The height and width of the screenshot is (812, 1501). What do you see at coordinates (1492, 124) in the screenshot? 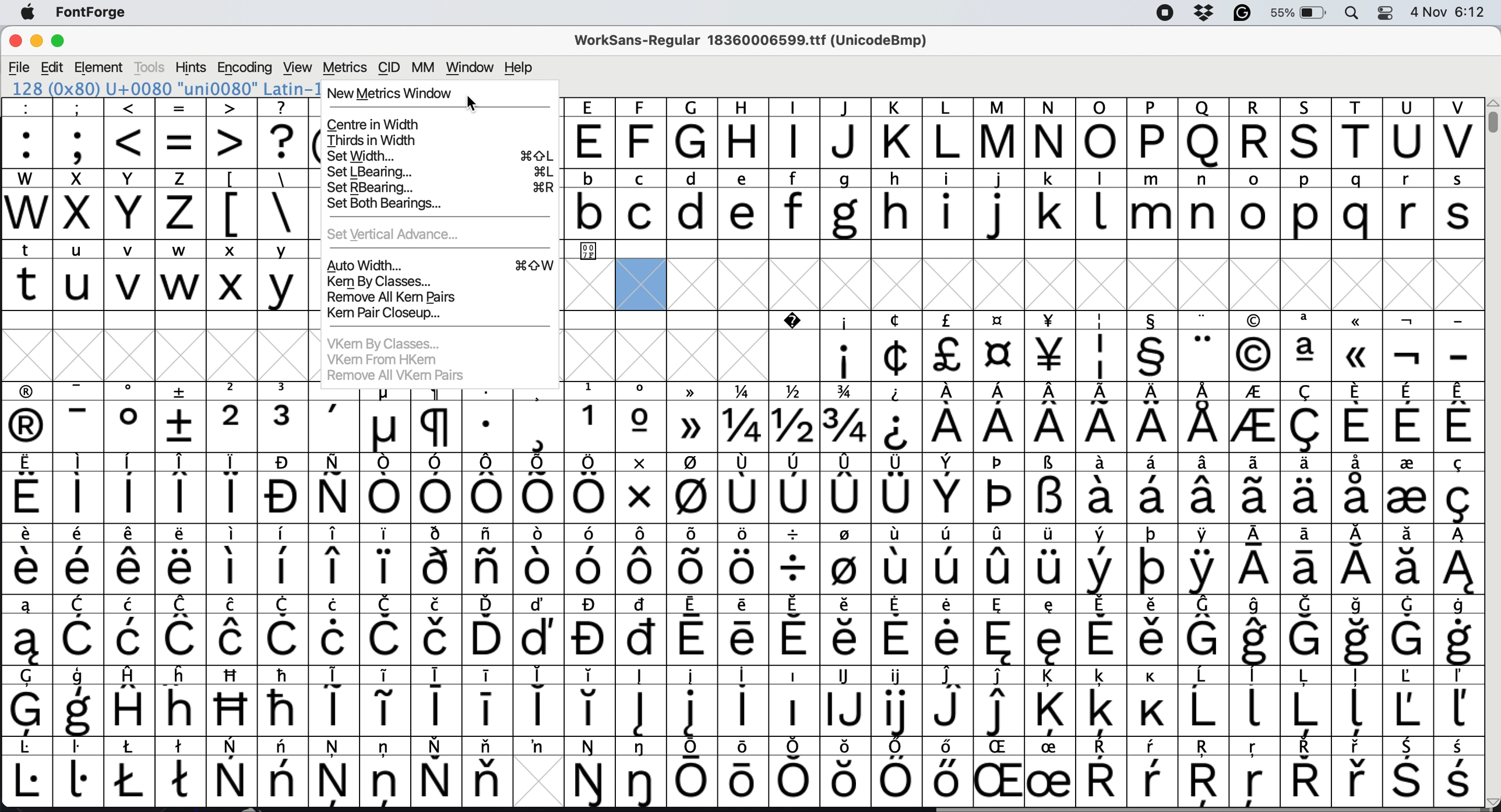
I see `vertical scroll` at bounding box center [1492, 124].